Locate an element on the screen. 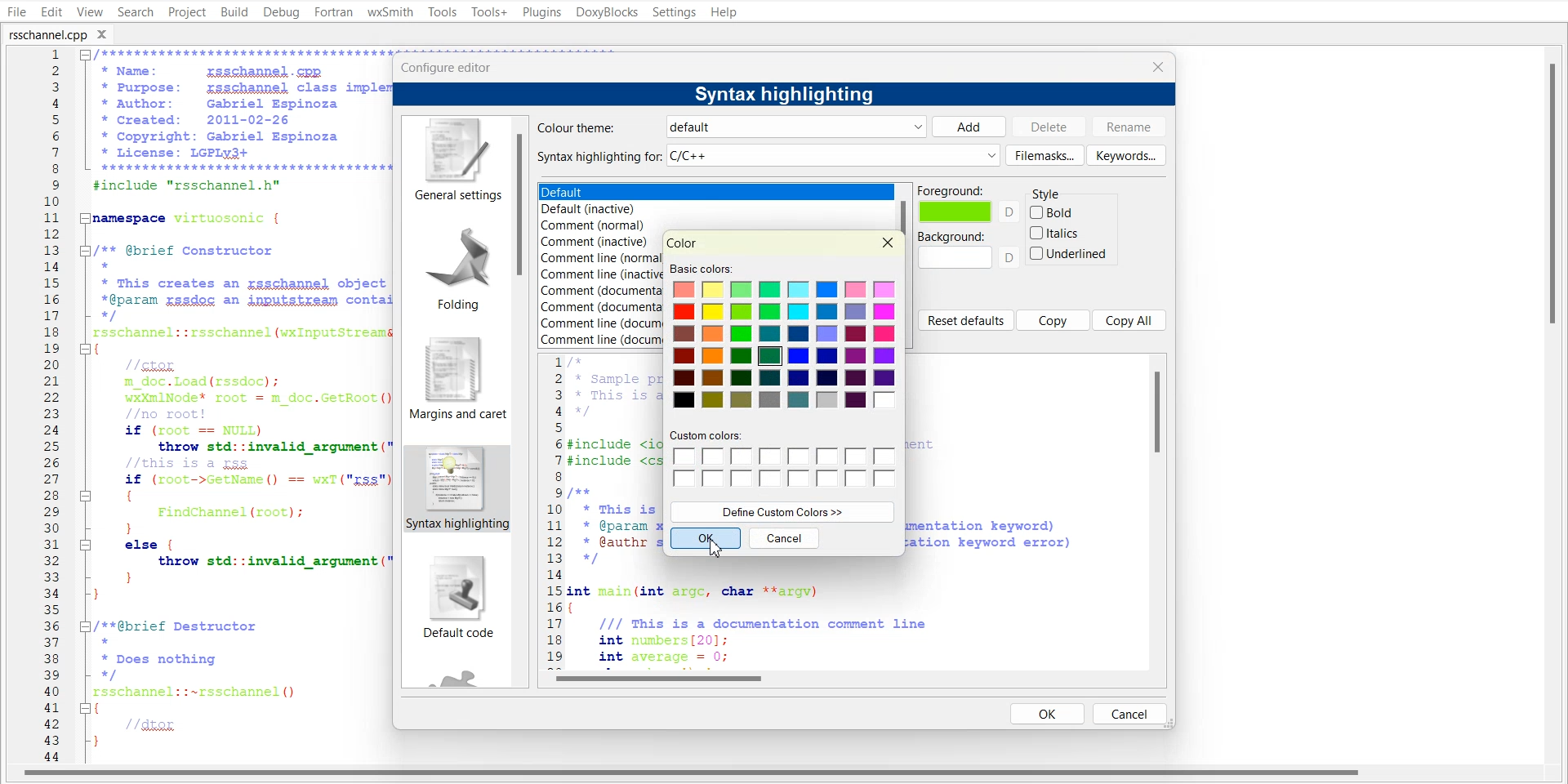  Delete is located at coordinates (1049, 126).